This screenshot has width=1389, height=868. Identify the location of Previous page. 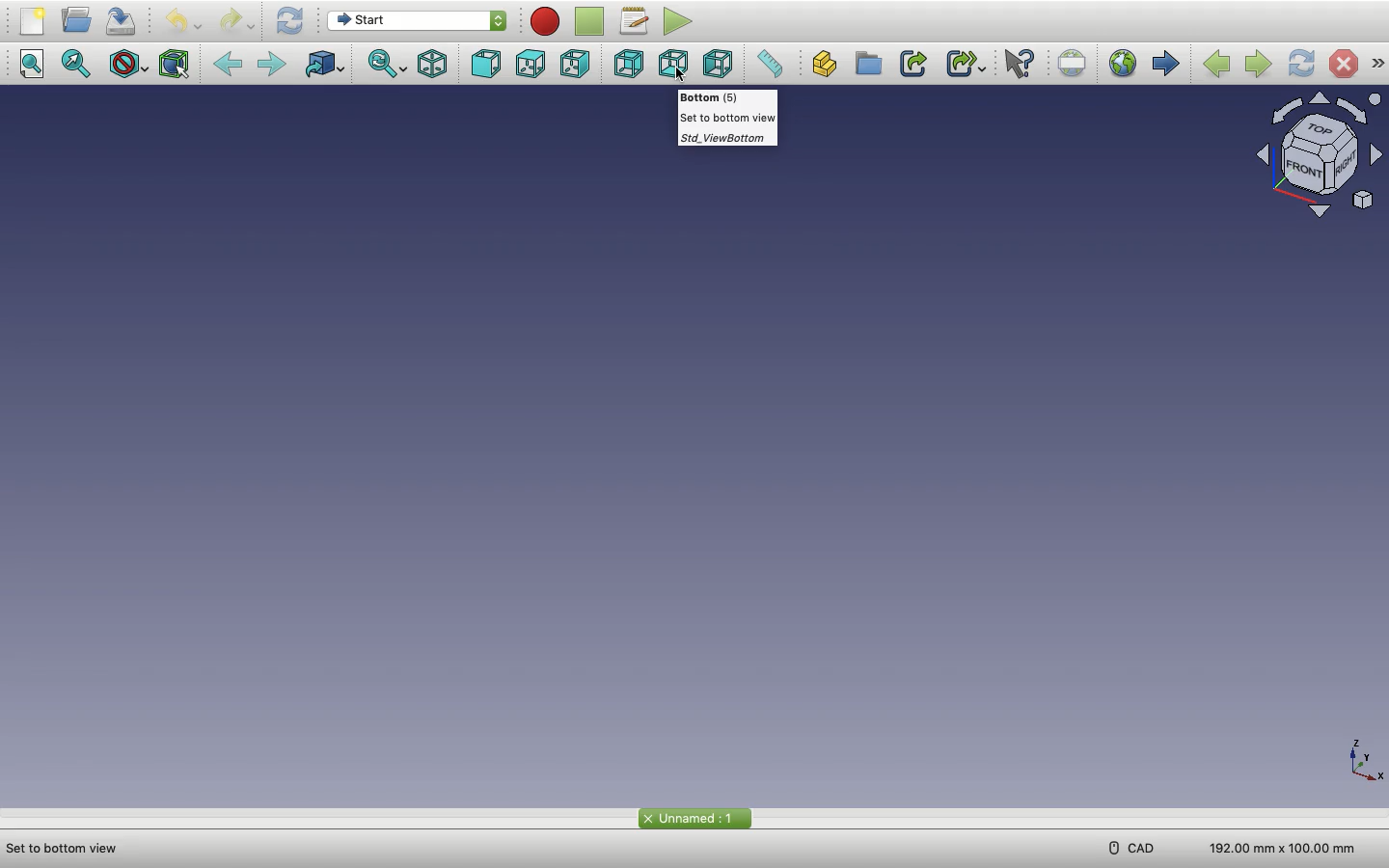
(1217, 62).